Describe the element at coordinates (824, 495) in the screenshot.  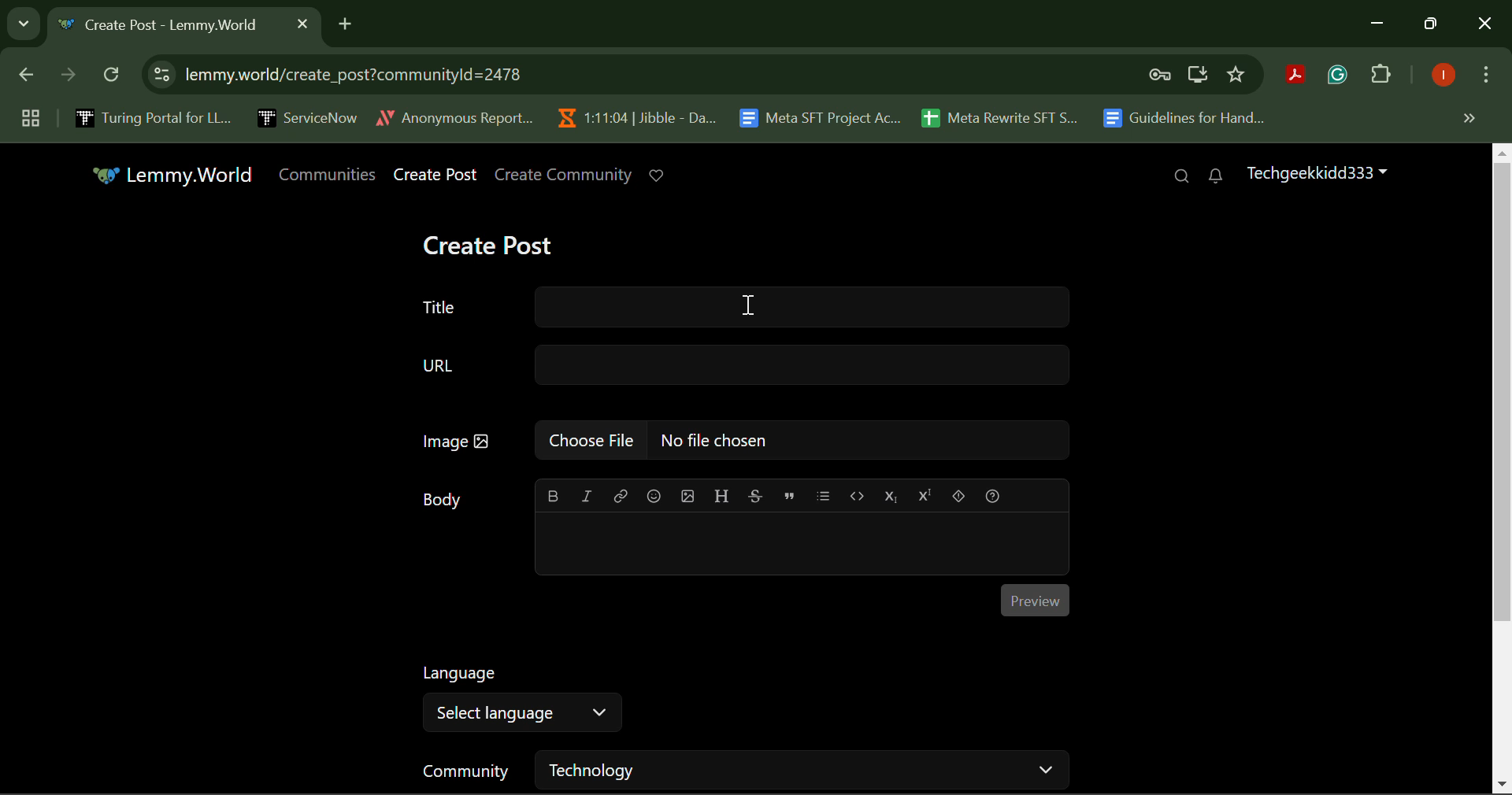
I see `list` at that location.